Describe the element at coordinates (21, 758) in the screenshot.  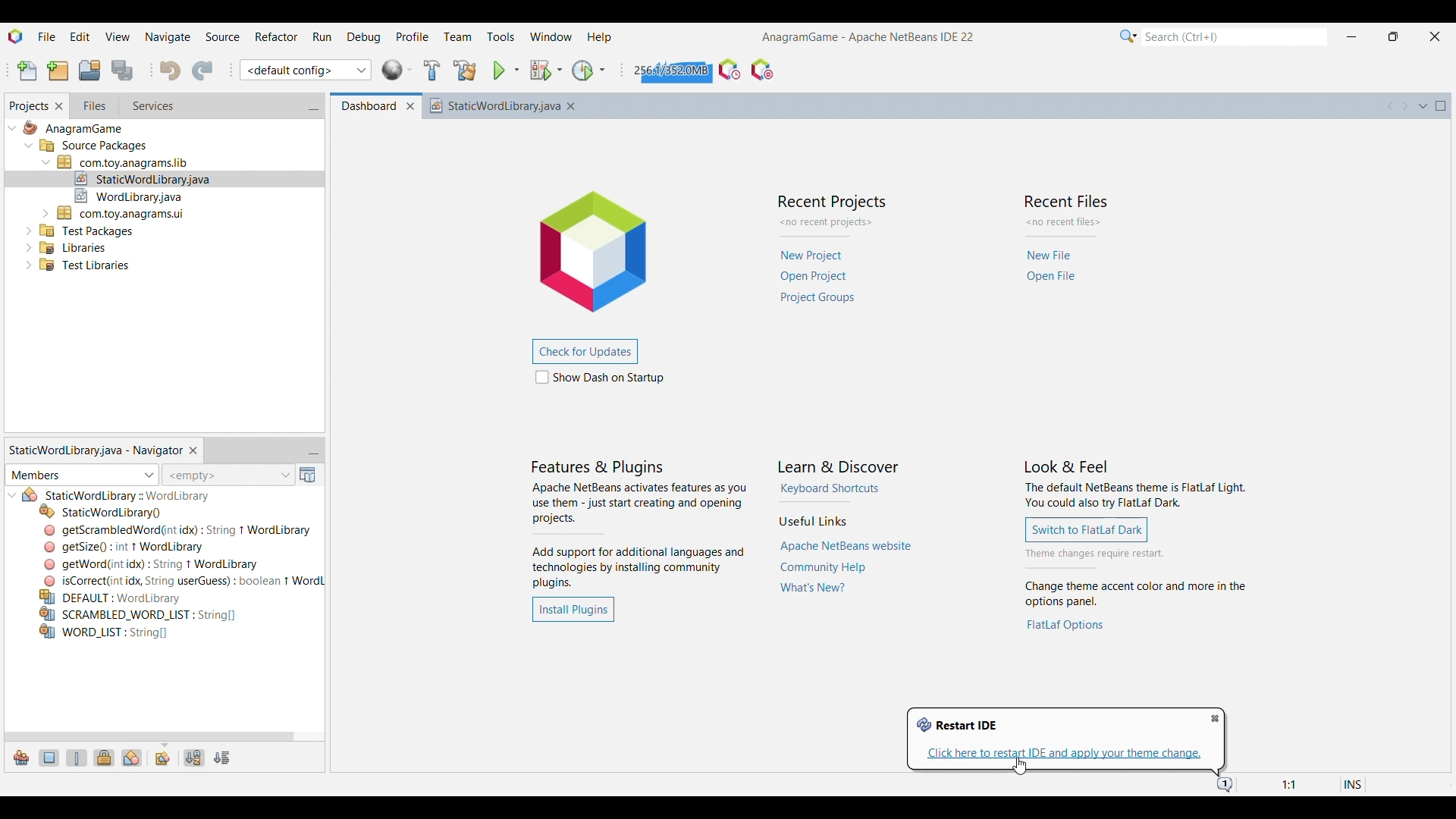
I see `Show inherited members ` at that location.